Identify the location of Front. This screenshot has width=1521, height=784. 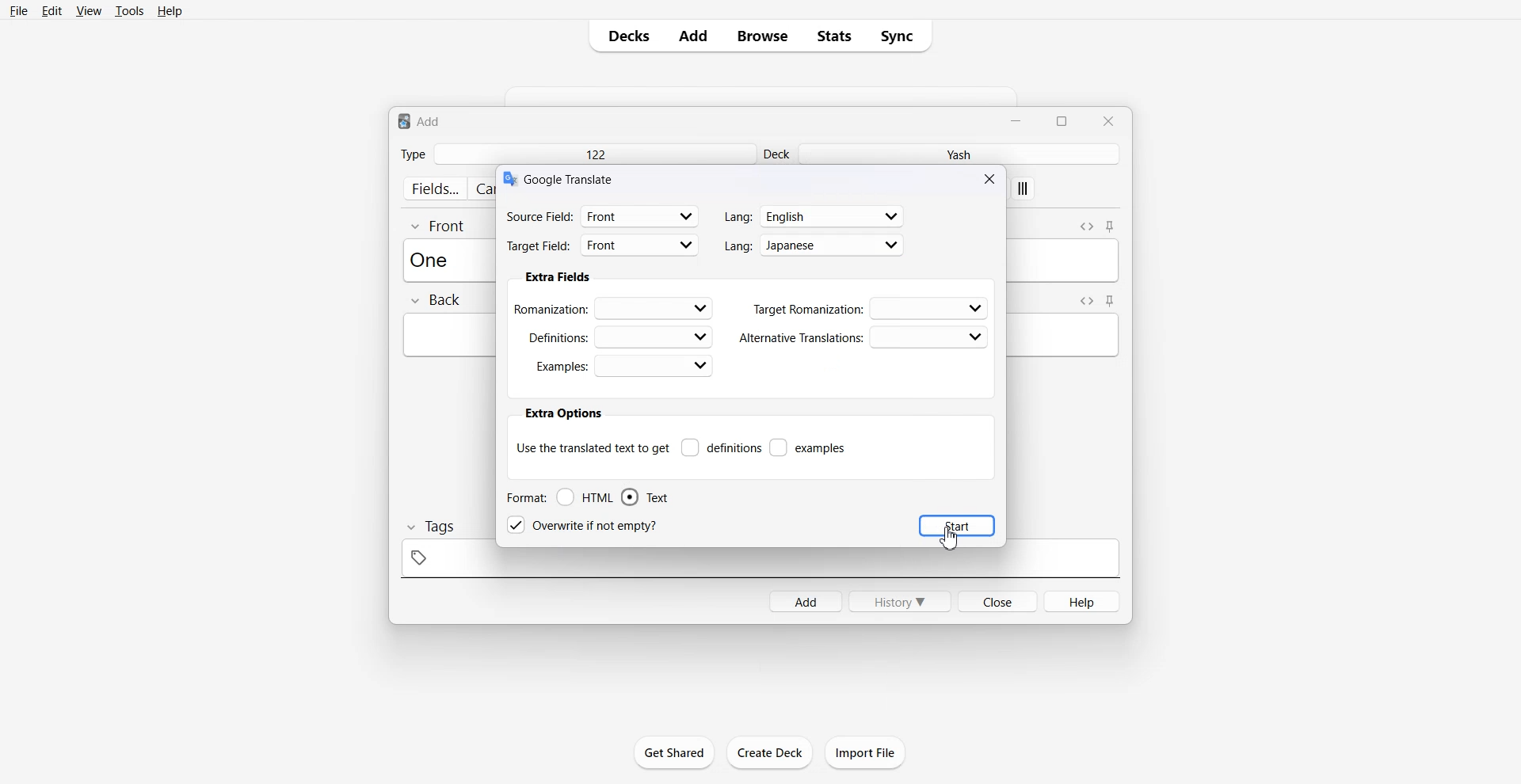
(439, 225).